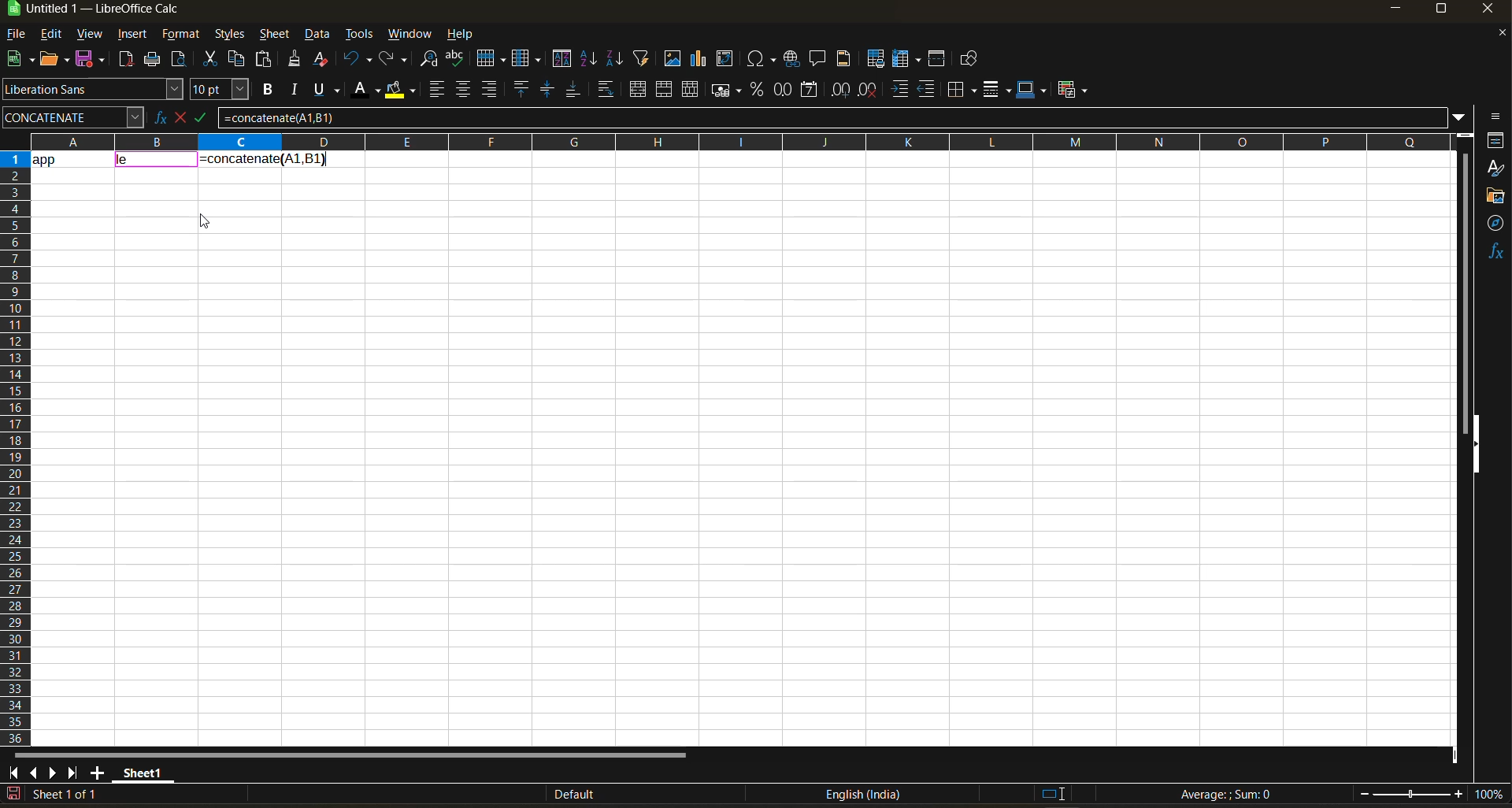 This screenshot has height=808, width=1512. What do you see at coordinates (734, 141) in the screenshot?
I see `rows` at bounding box center [734, 141].